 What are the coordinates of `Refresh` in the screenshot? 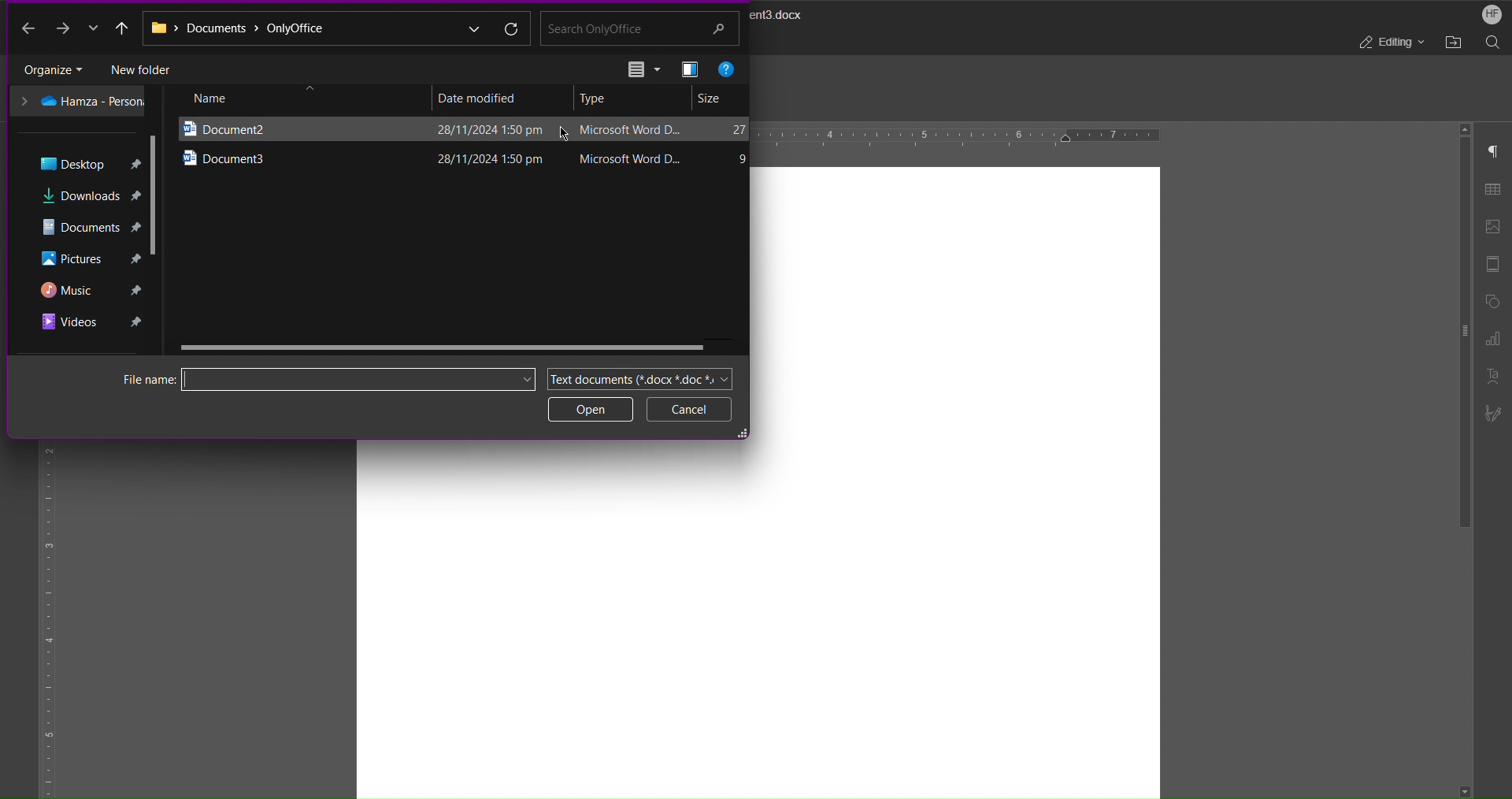 It's located at (511, 28).